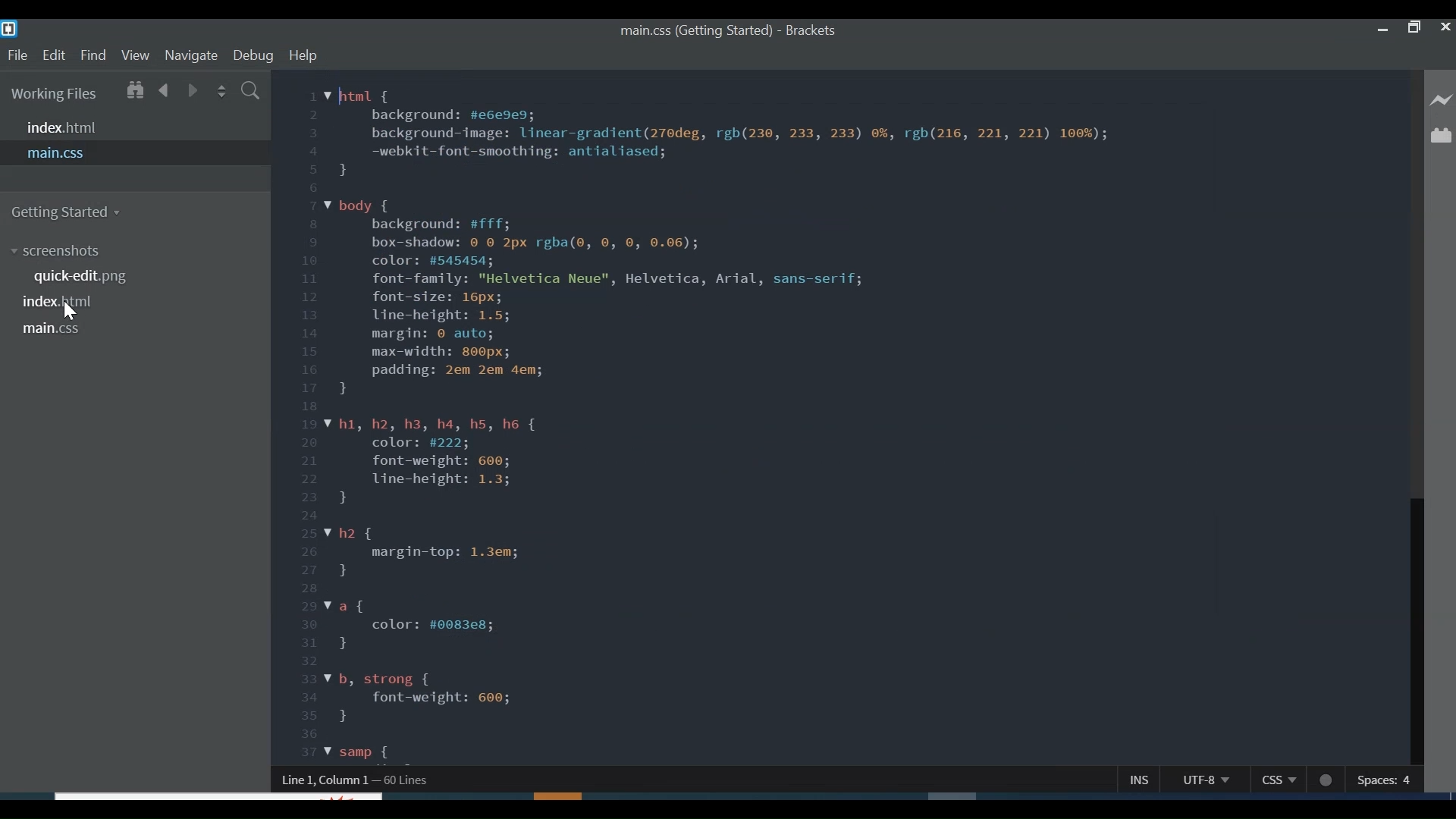  I want to click on Live Preview , so click(1439, 102).